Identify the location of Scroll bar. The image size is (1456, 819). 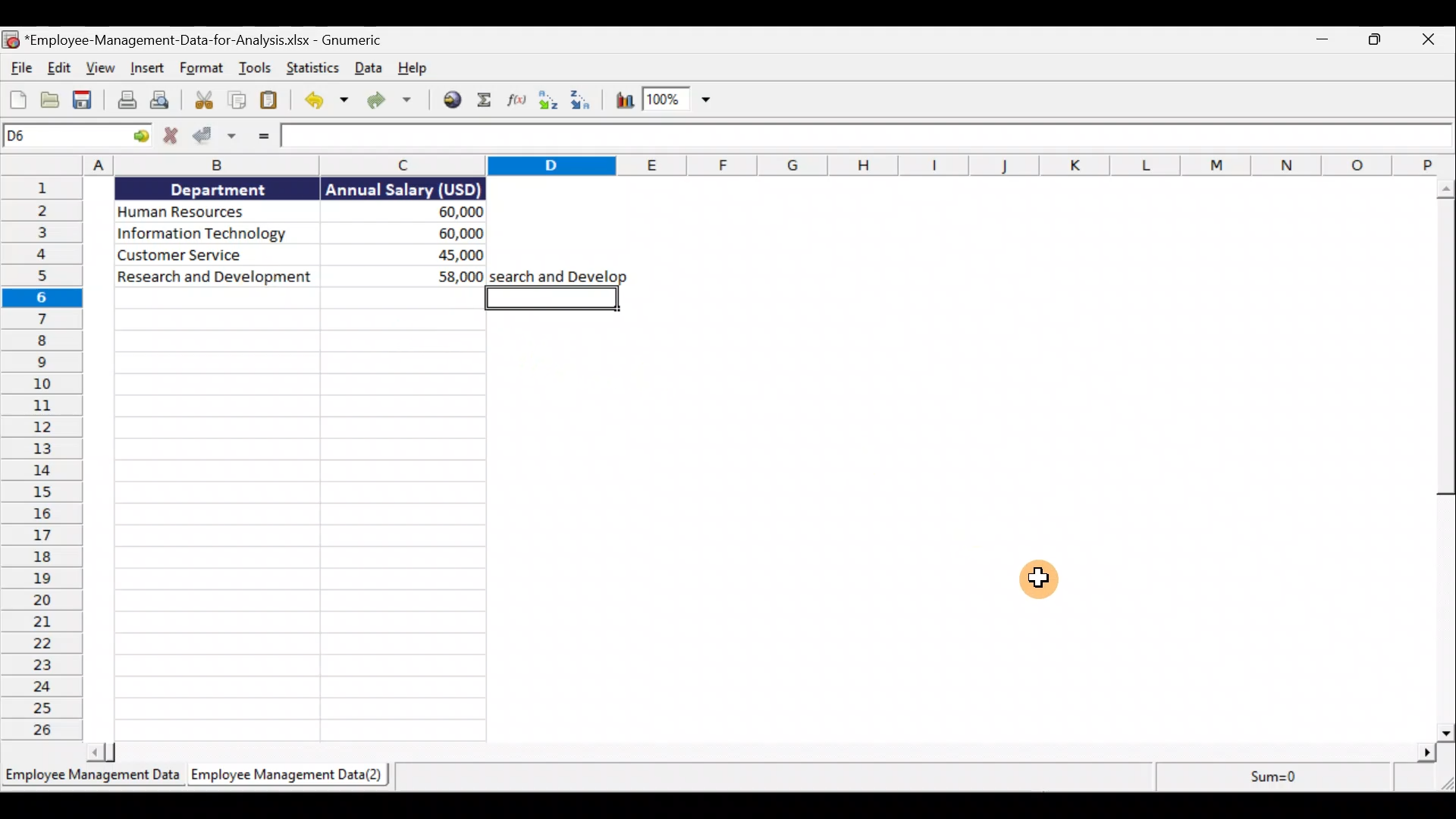
(1439, 458).